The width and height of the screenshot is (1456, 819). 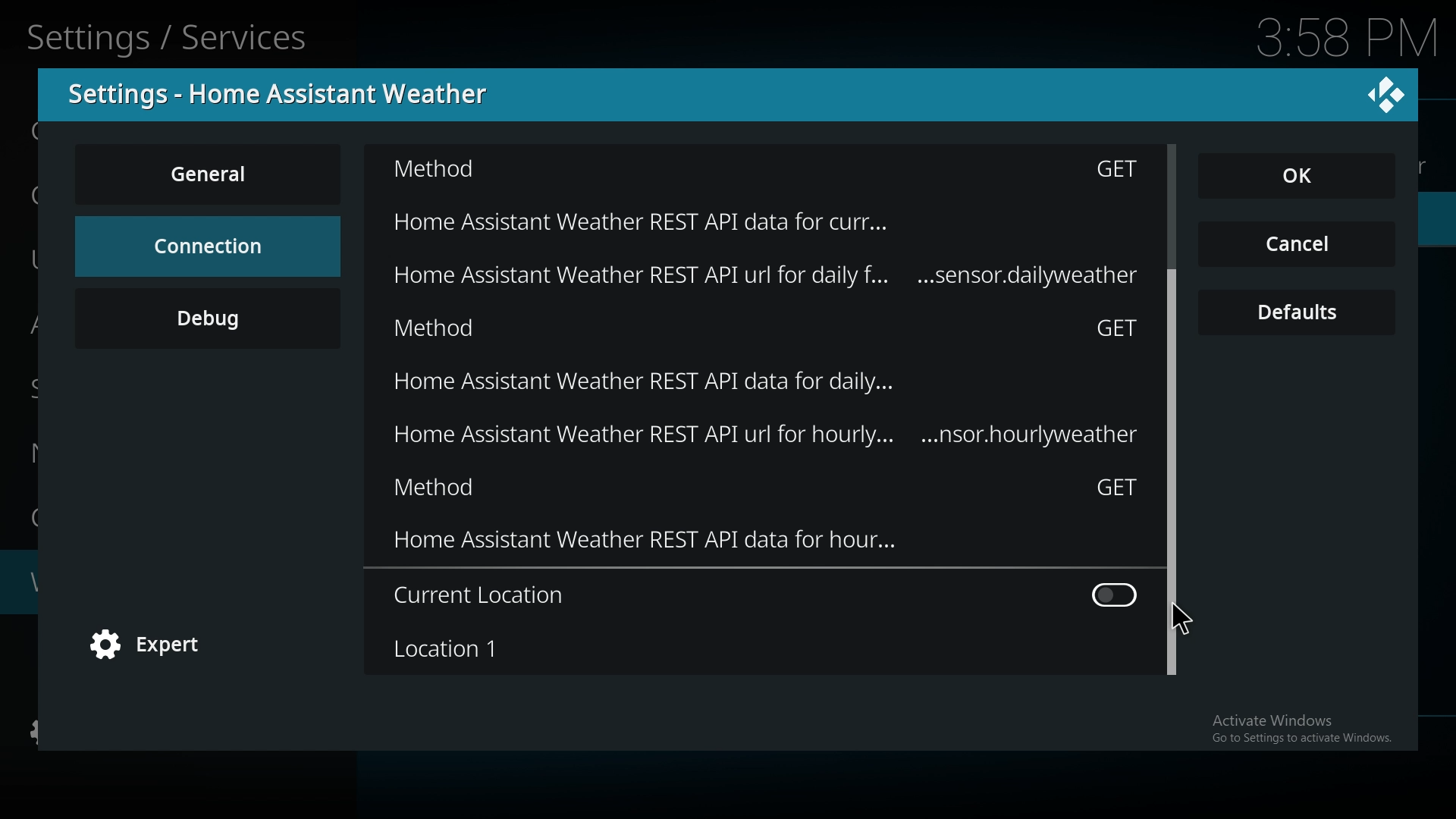 I want to click on close, so click(x=1386, y=93).